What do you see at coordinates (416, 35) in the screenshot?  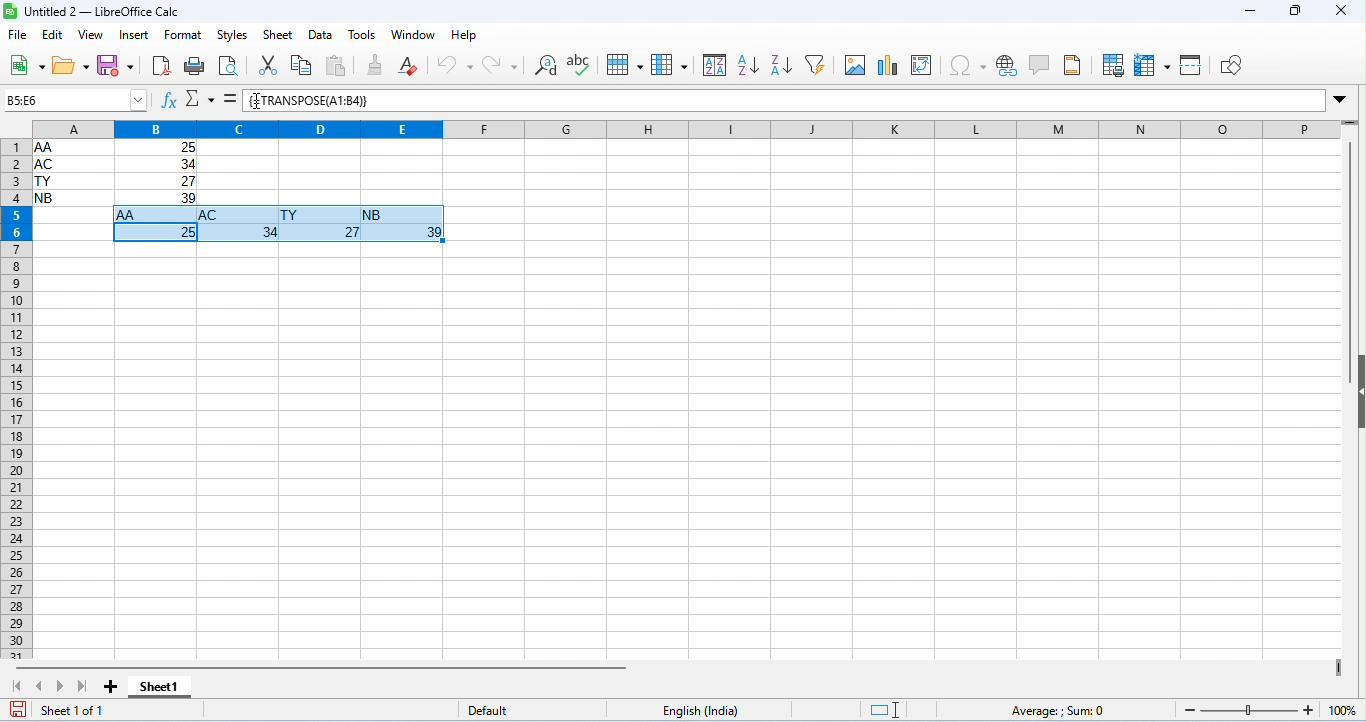 I see `window` at bounding box center [416, 35].